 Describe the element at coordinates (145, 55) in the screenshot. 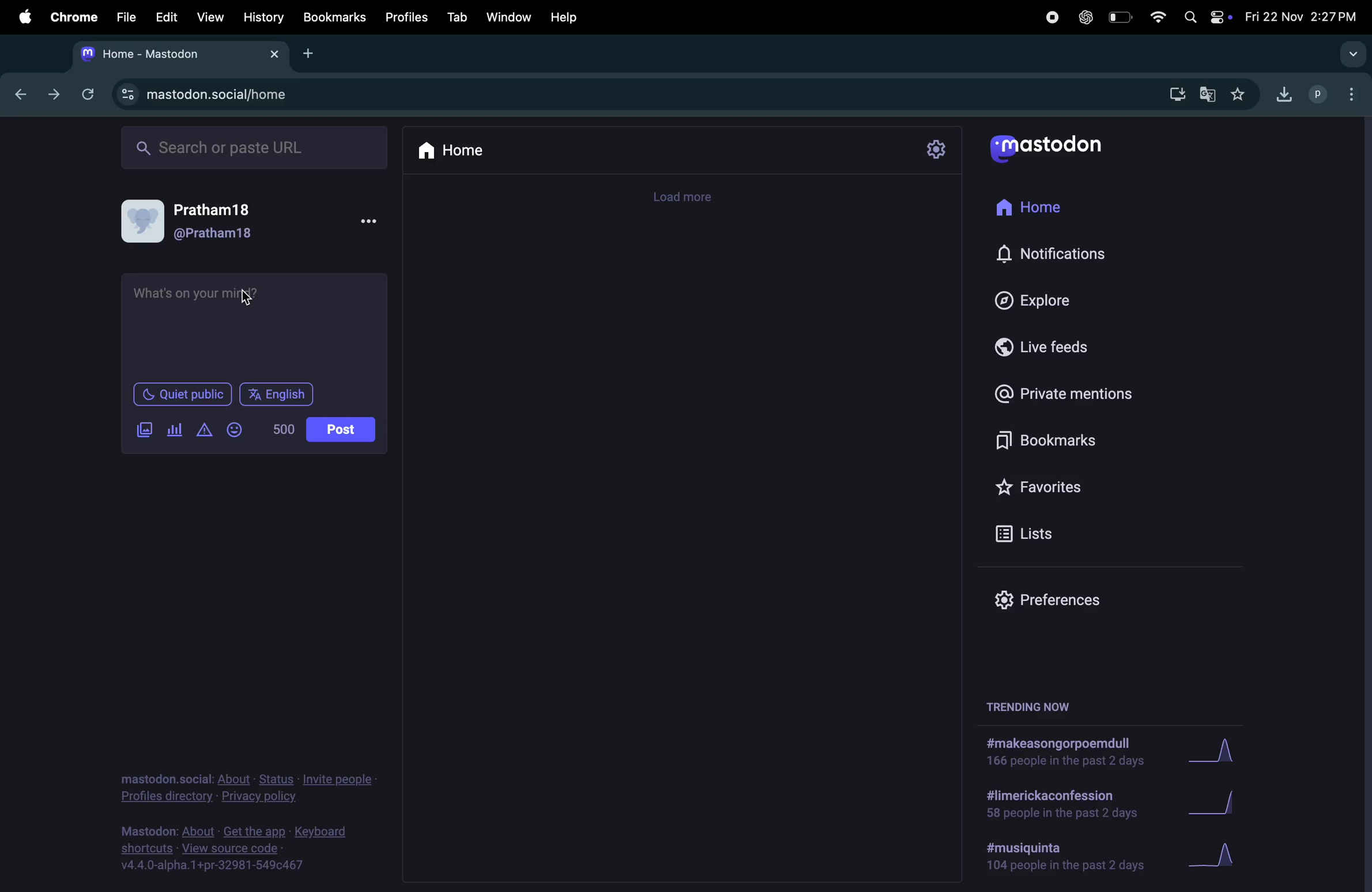

I see `tab` at that location.